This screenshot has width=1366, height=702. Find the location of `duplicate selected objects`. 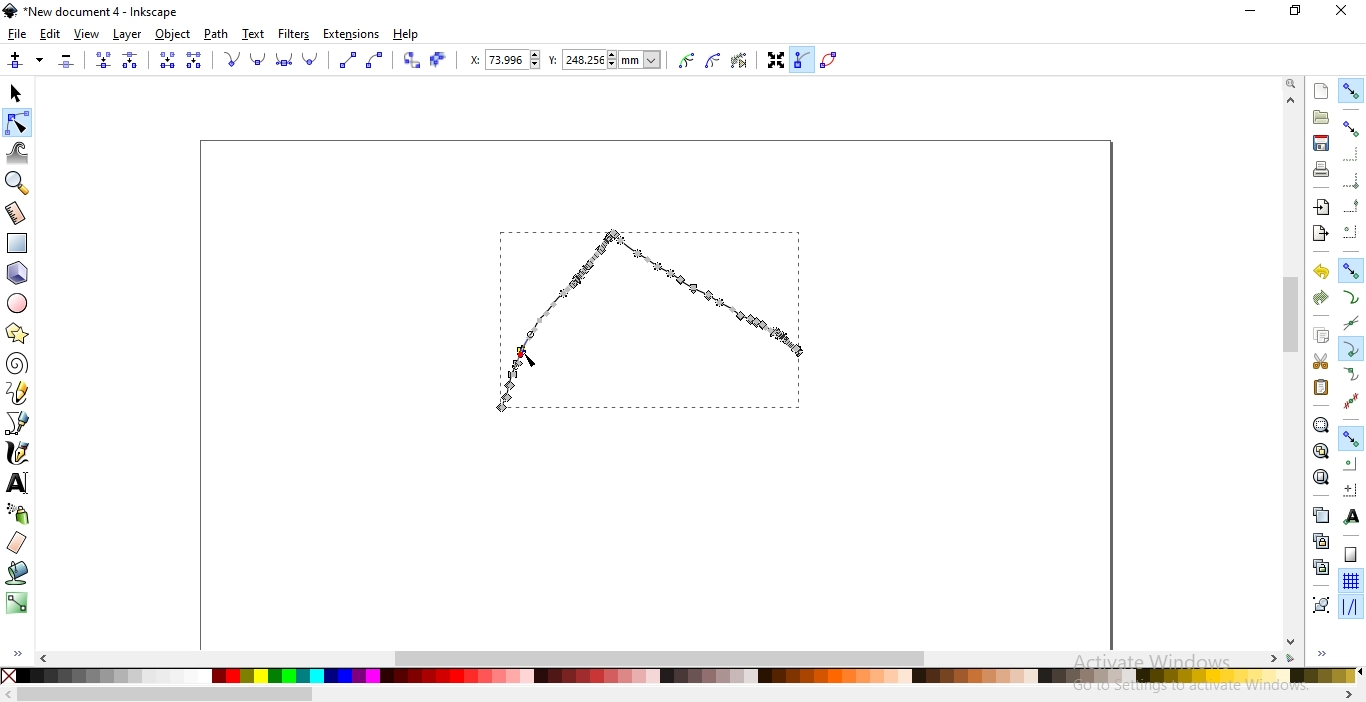

duplicate selected objects is located at coordinates (1320, 514).